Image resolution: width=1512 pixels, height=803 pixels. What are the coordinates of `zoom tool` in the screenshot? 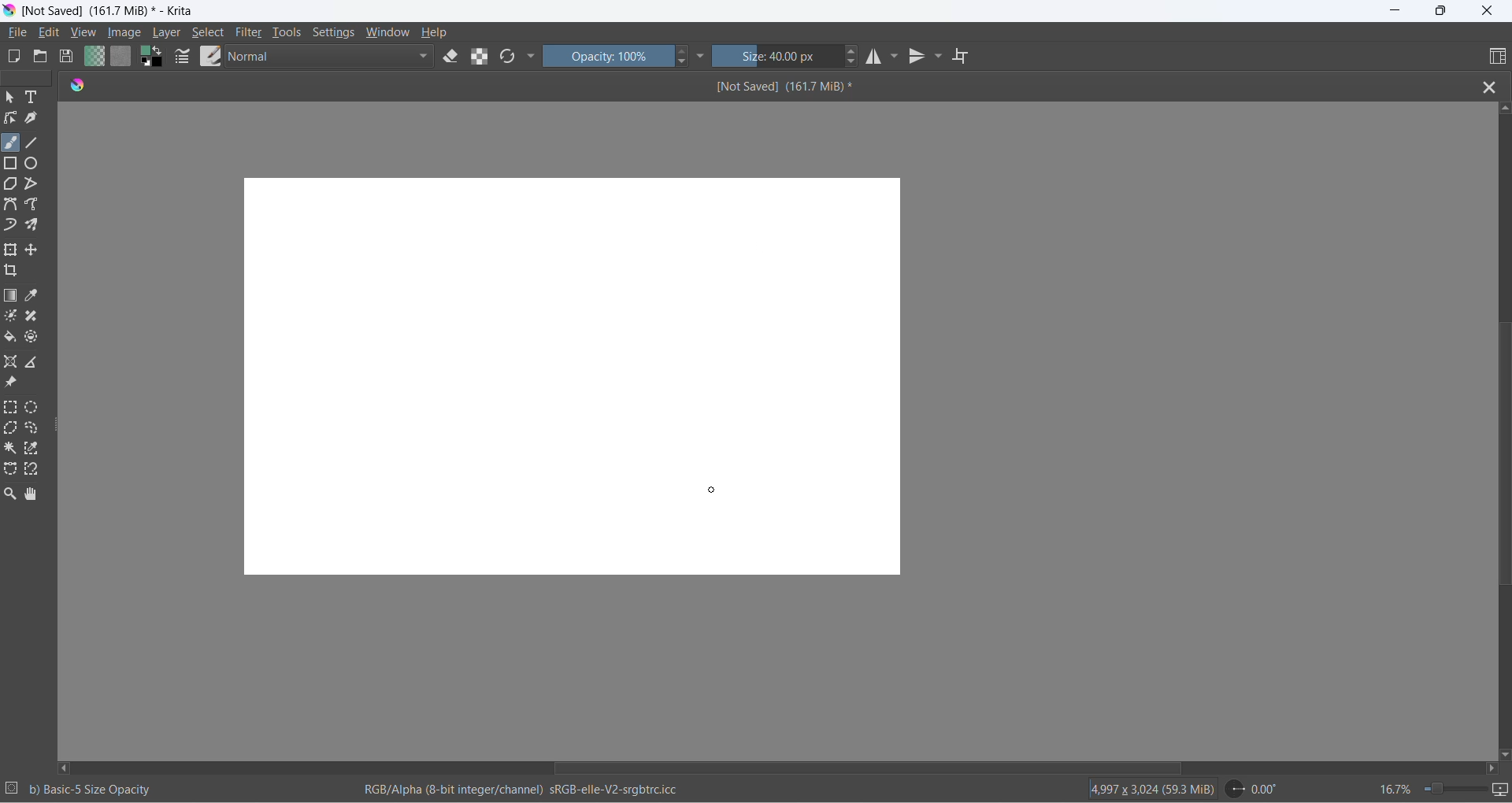 It's located at (13, 494).